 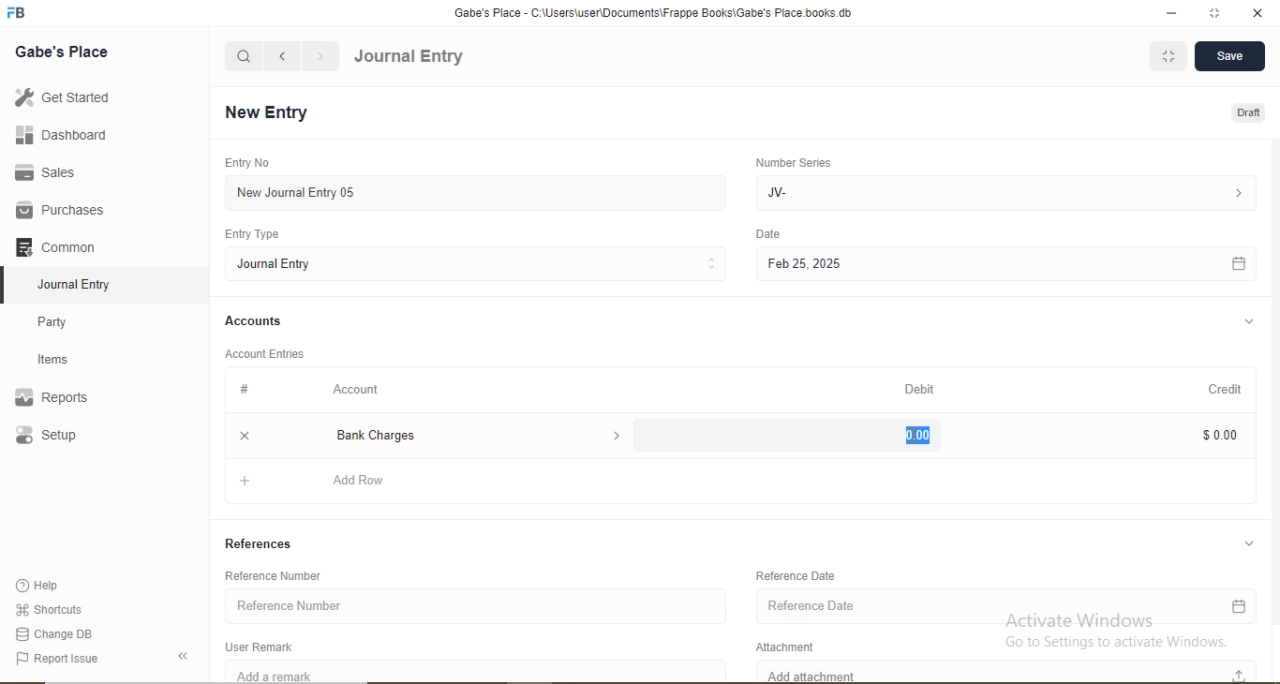 I want to click on Party, so click(x=66, y=320).